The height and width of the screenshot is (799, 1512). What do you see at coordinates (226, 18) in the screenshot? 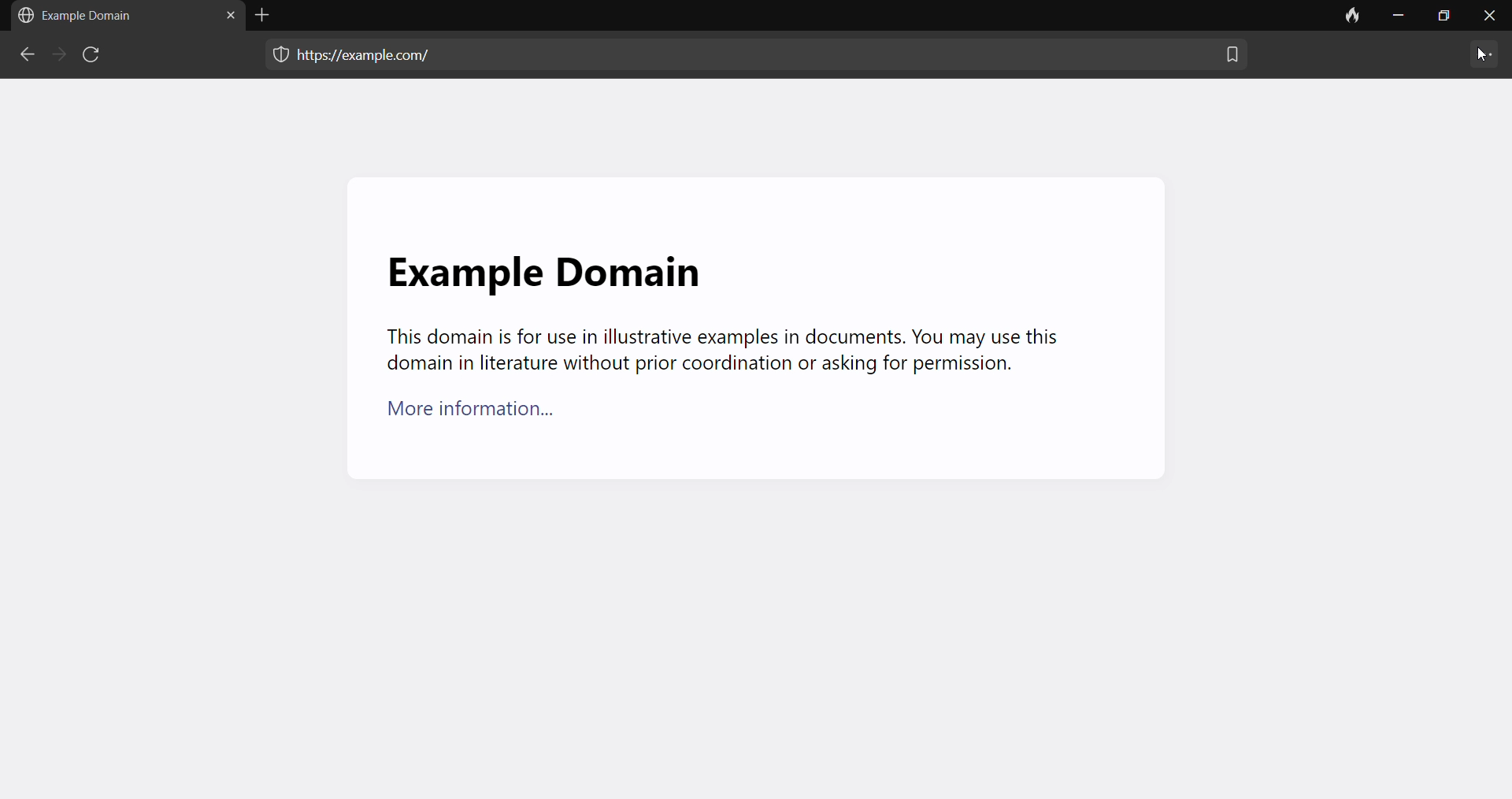
I see `close tab` at bounding box center [226, 18].